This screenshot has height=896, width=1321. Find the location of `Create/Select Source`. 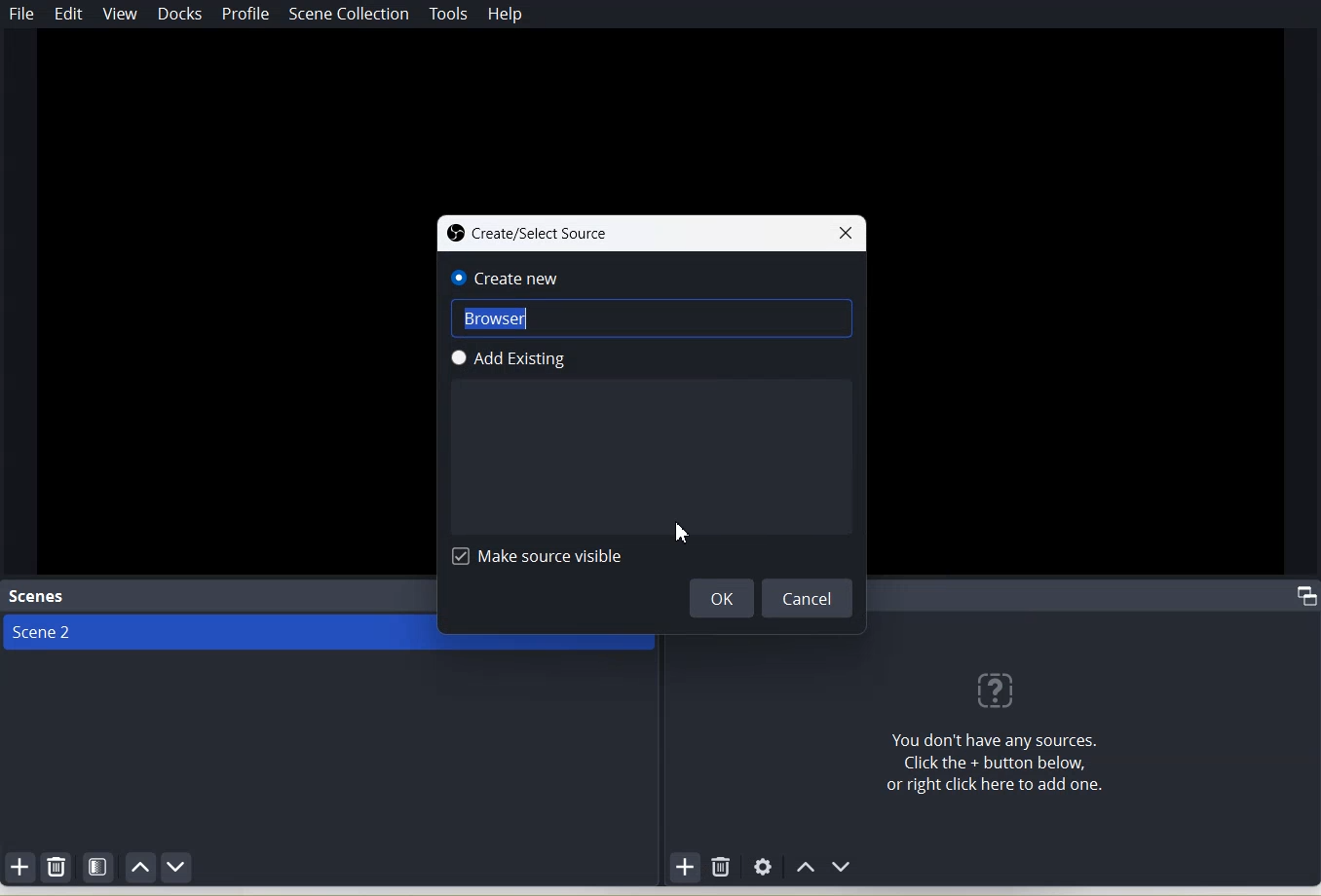

Create/Select Source is located at coordinates (535, 231).